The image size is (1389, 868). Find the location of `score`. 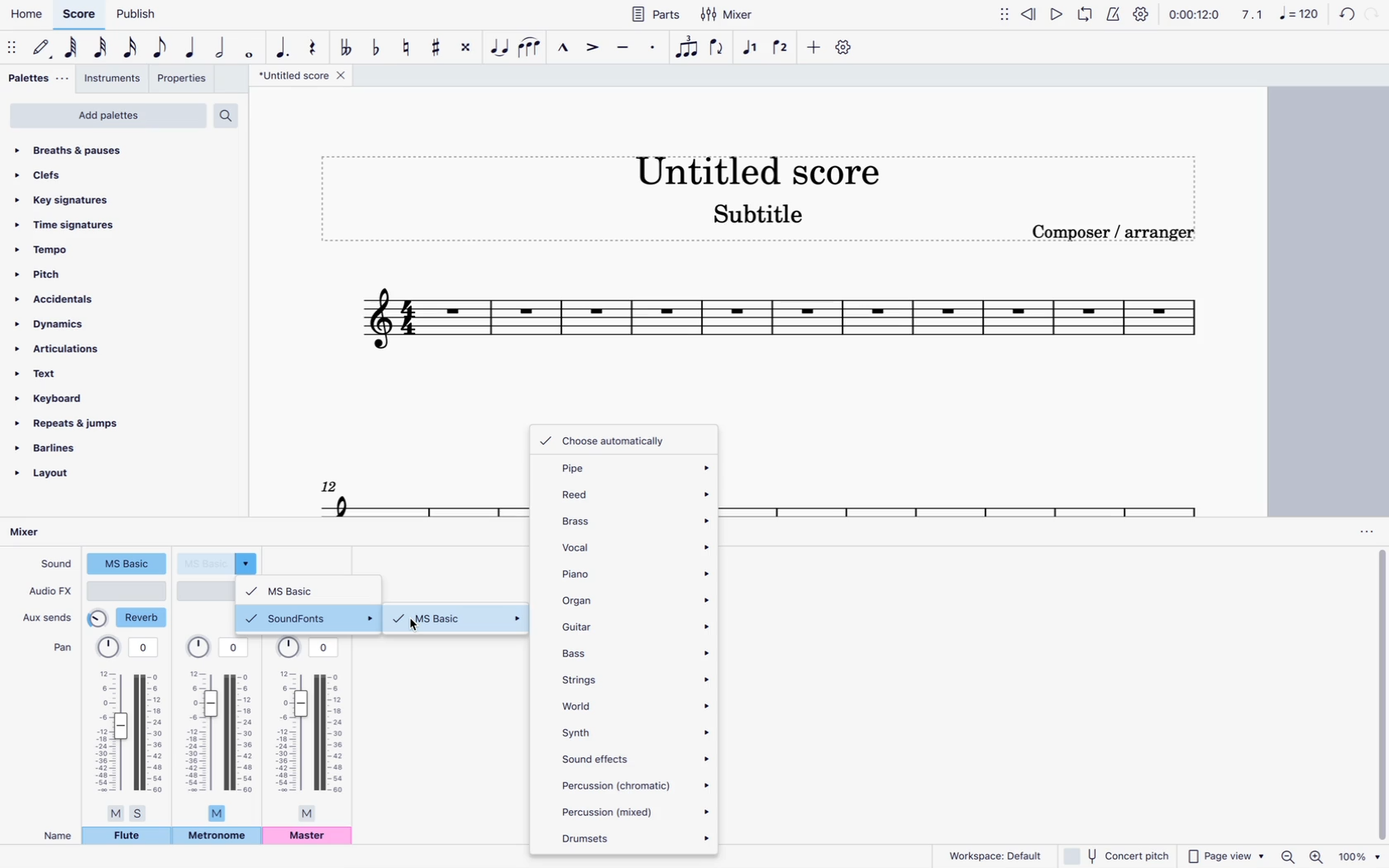

score is located at coordinates (779, 324).